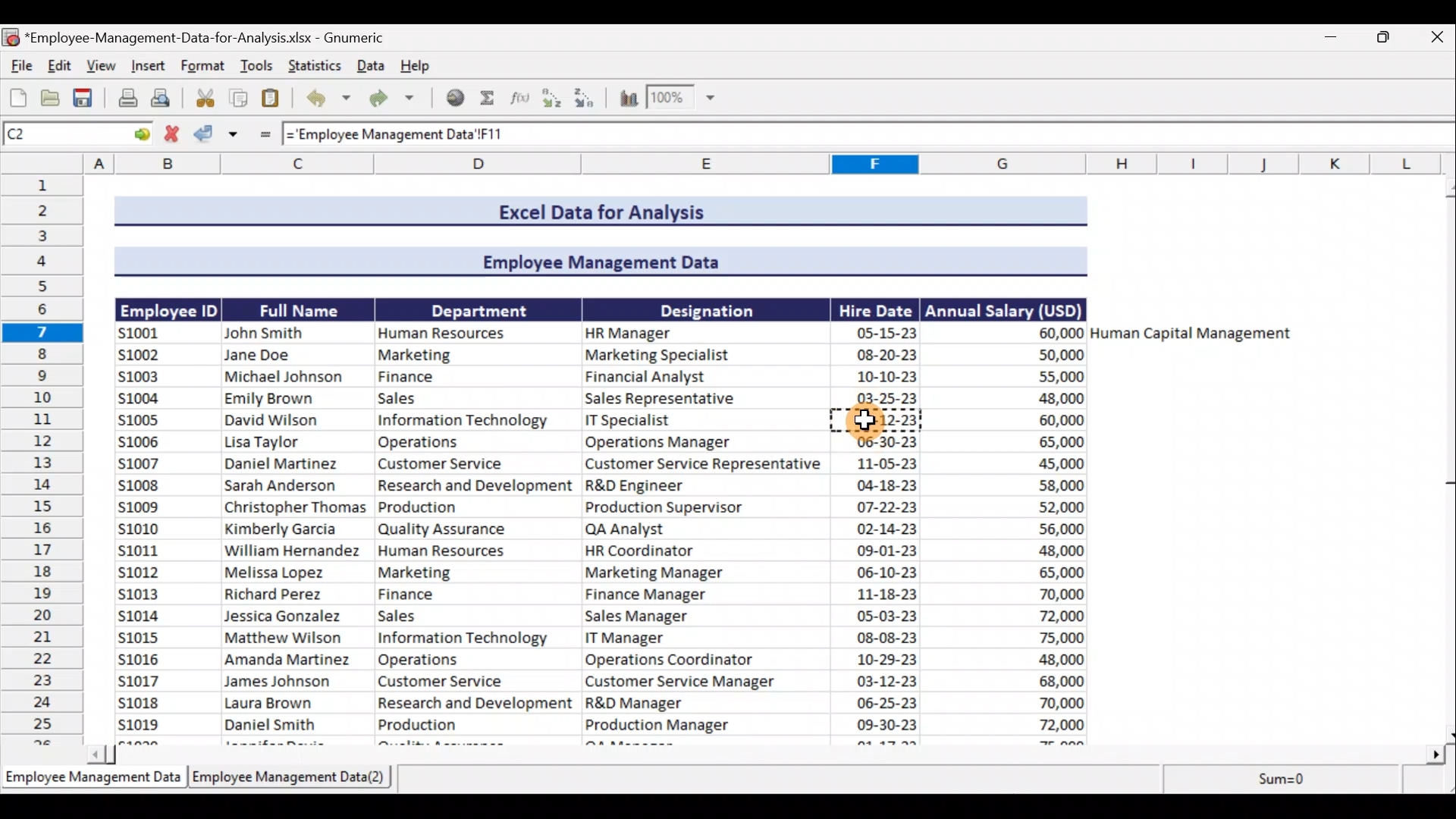 The image size is (1456, 819). I want to click on Edit a function in the current cell, so click(525, 99).